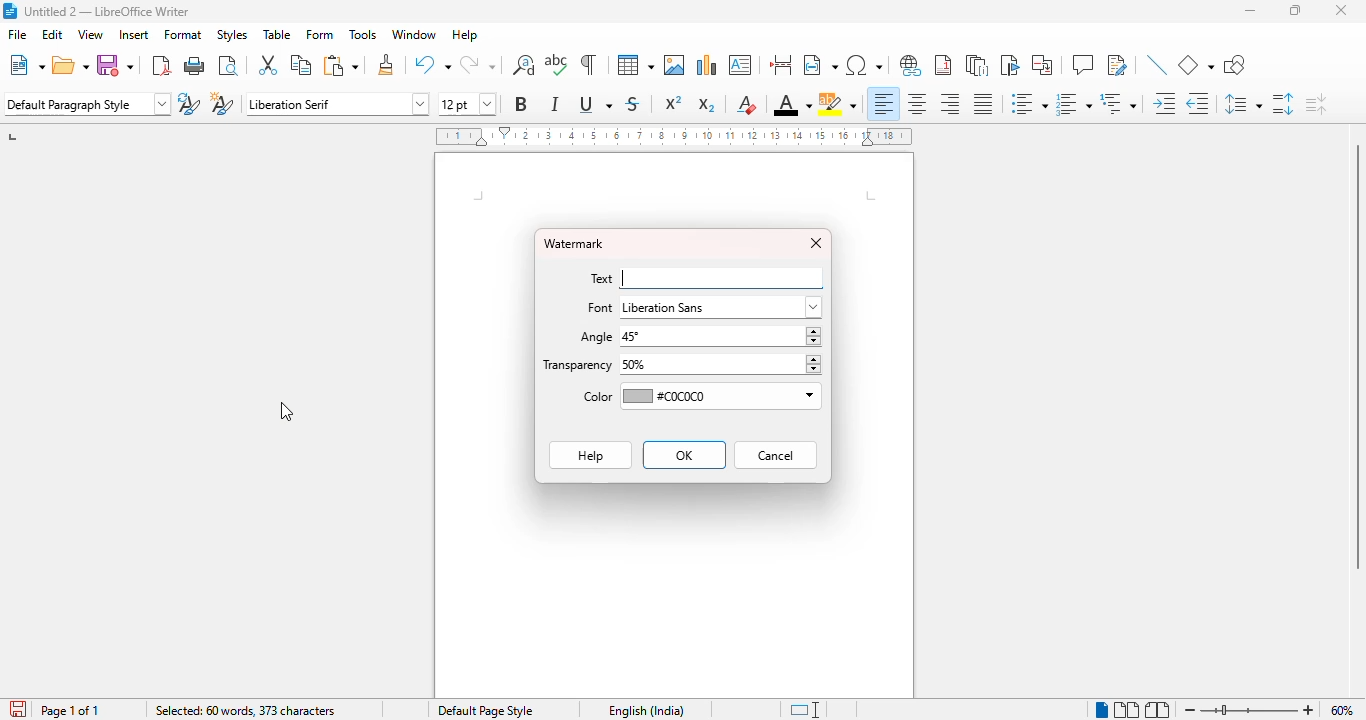 The image size is (1366, 720). I want to click on open, so click(71, 65).